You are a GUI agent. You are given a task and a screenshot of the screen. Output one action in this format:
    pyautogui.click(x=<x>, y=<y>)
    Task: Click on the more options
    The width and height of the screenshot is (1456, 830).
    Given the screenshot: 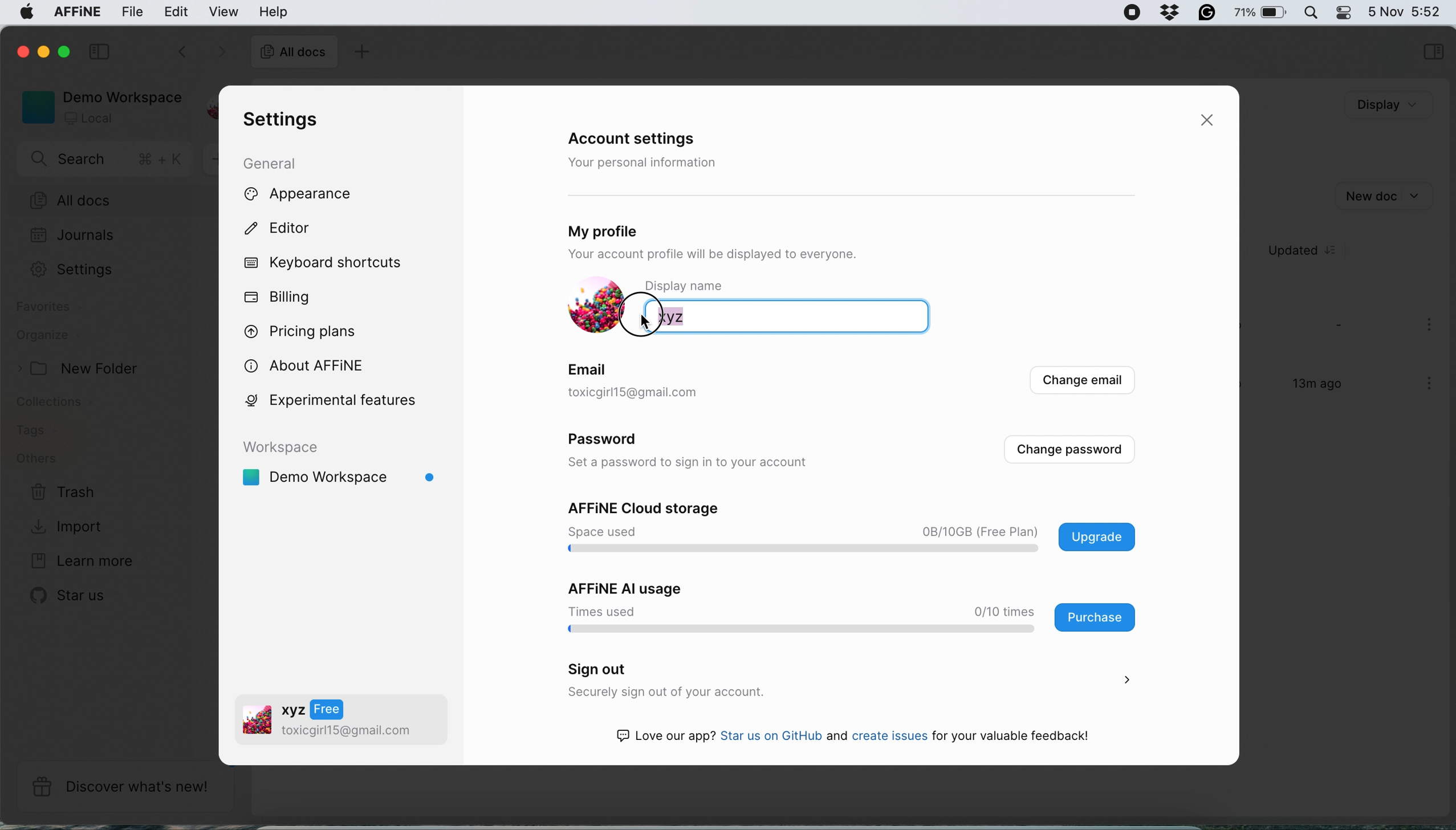 What is the action you would take?
    pyautogui.click(x=1431, y=326)
    